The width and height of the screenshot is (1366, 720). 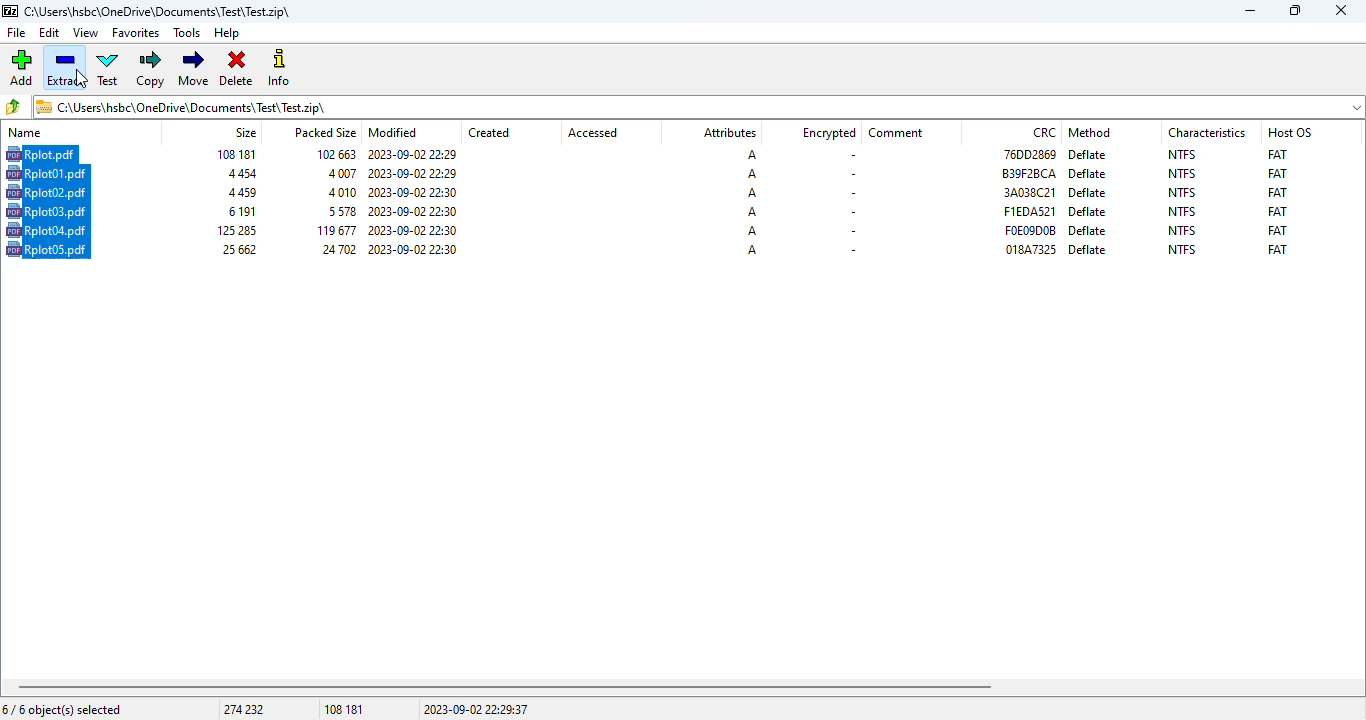 What do you see at coordinates (46, 173) in the screenshot?
I see `file` at bounding box center [46, 173].